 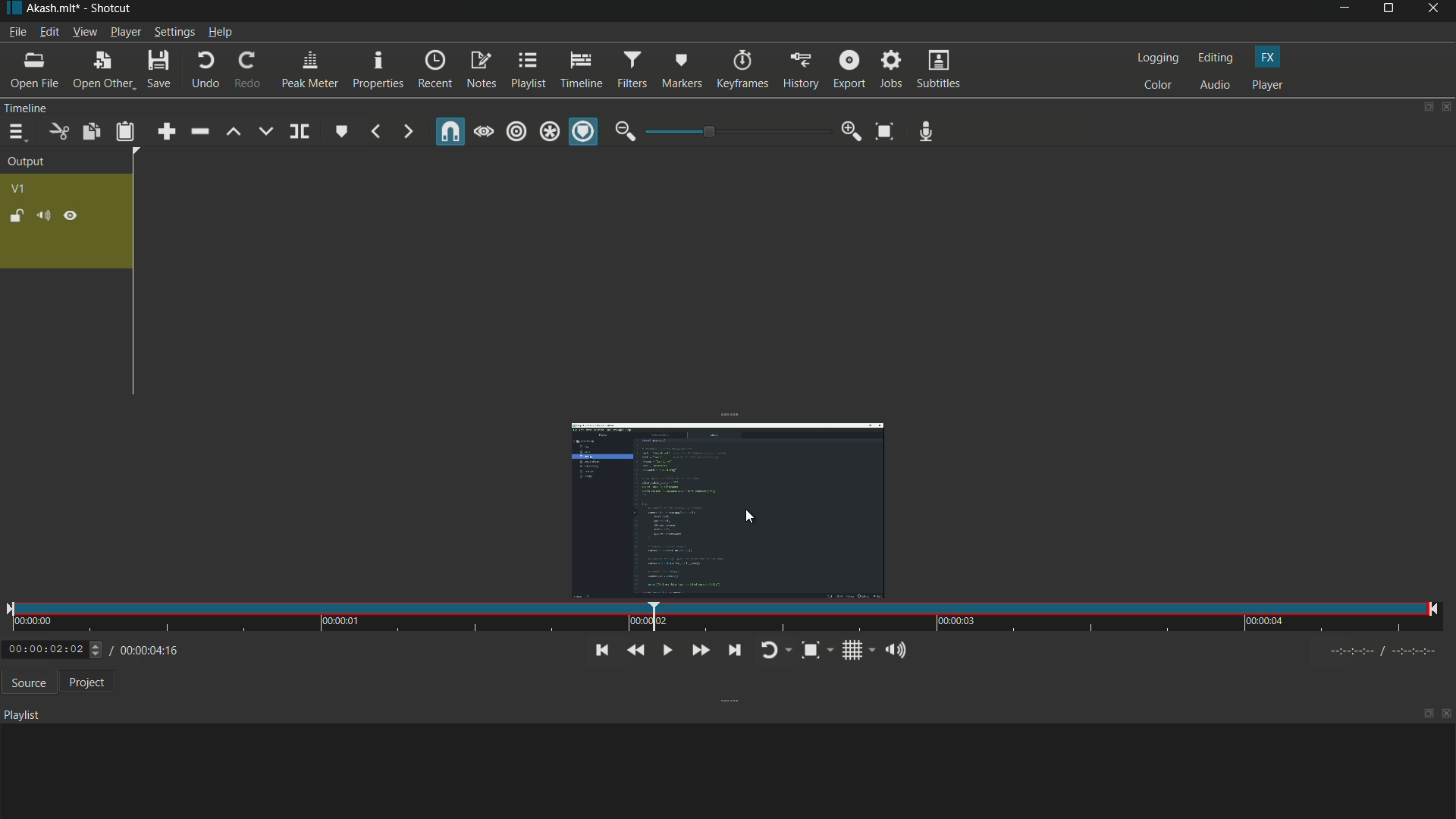 What do you see at coordinates (636, 651) in the screenshot?
I see `quickly play backward` at bounding box center [636, 651].